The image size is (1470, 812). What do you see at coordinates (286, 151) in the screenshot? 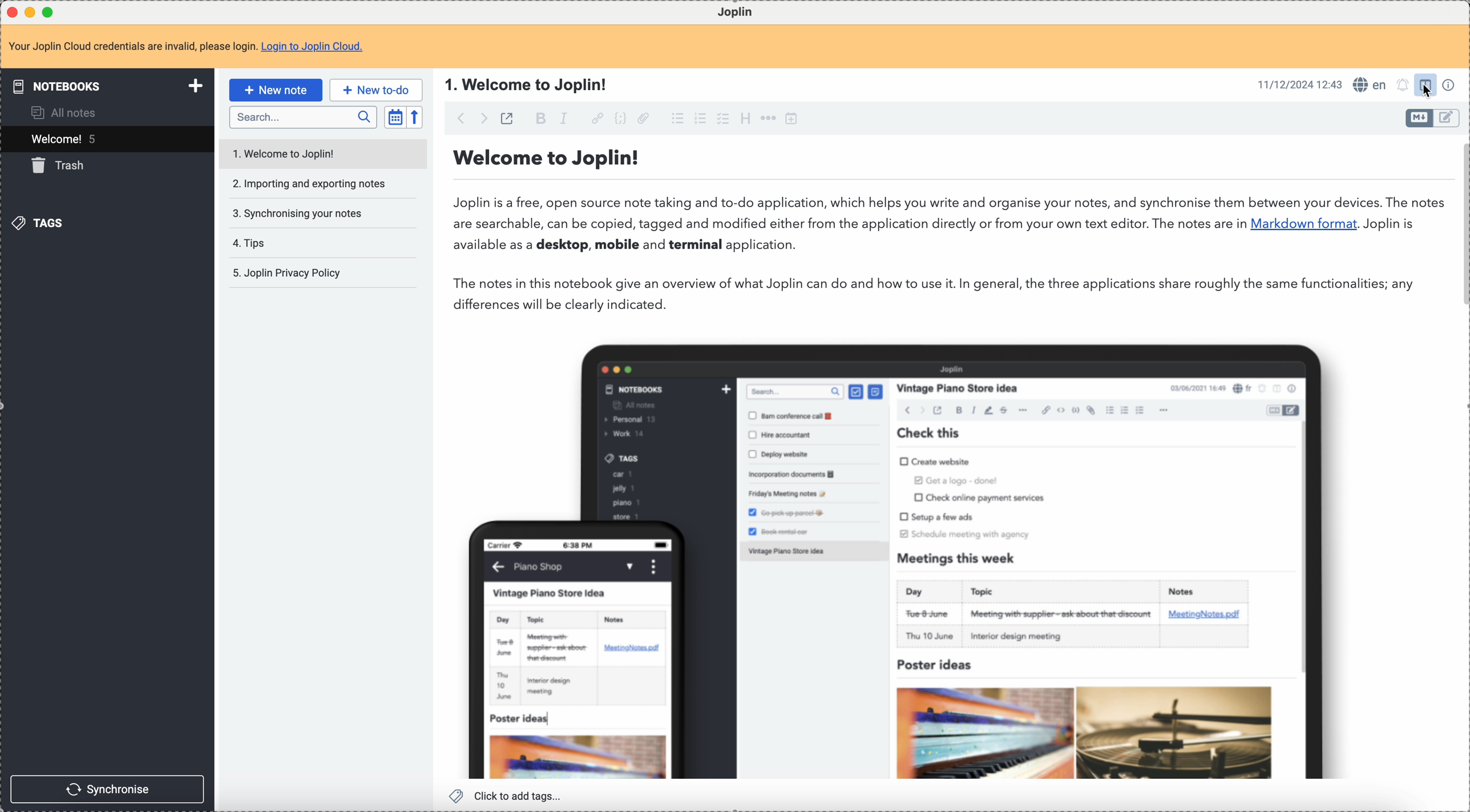
I see `welcome to Joplin` at bounding box center [286, 151].